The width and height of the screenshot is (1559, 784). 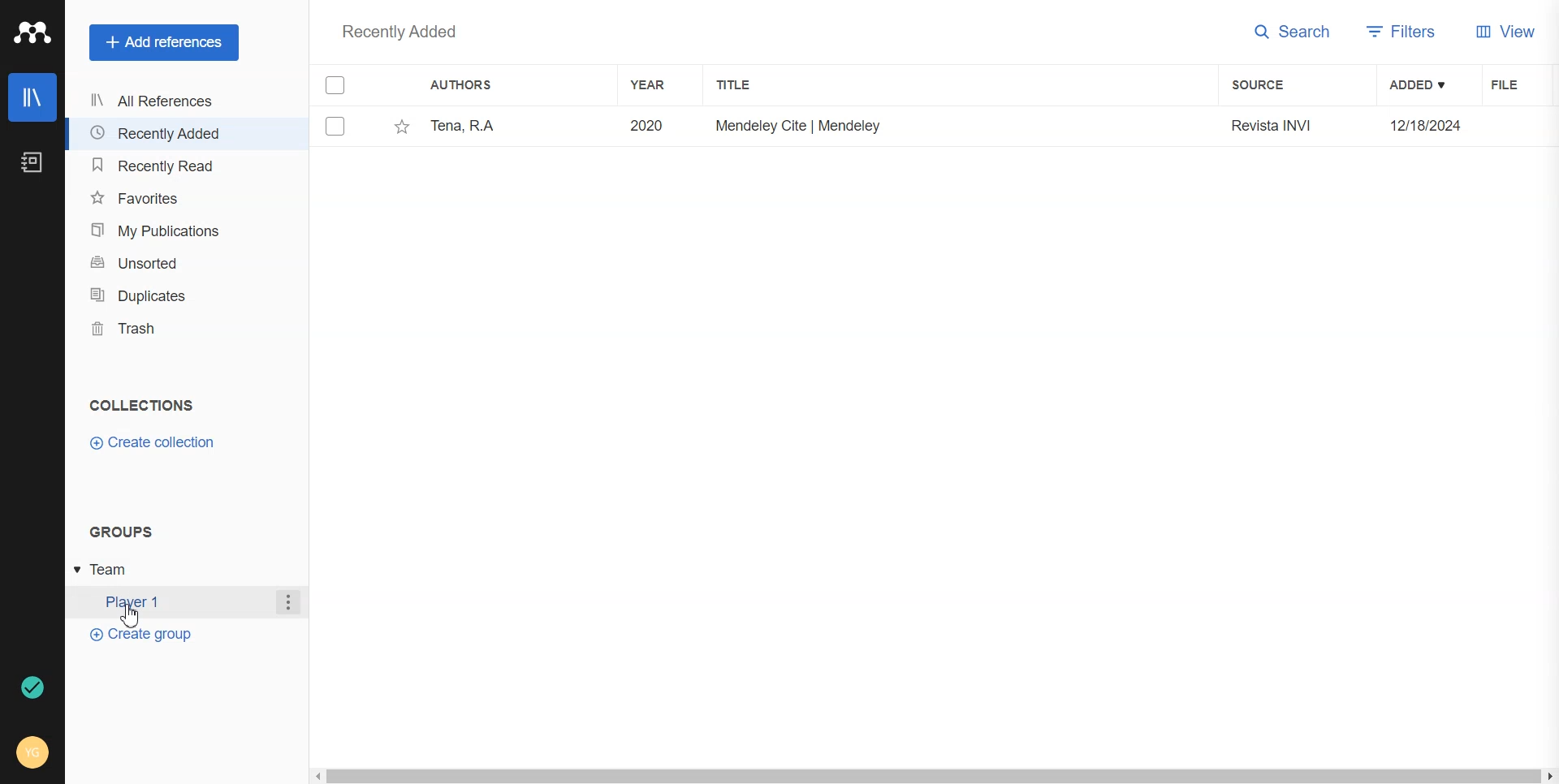 What do you see at coordinates (121, 532) in the screenshot?
I see `Text 2` at bounding box center [121, 532].